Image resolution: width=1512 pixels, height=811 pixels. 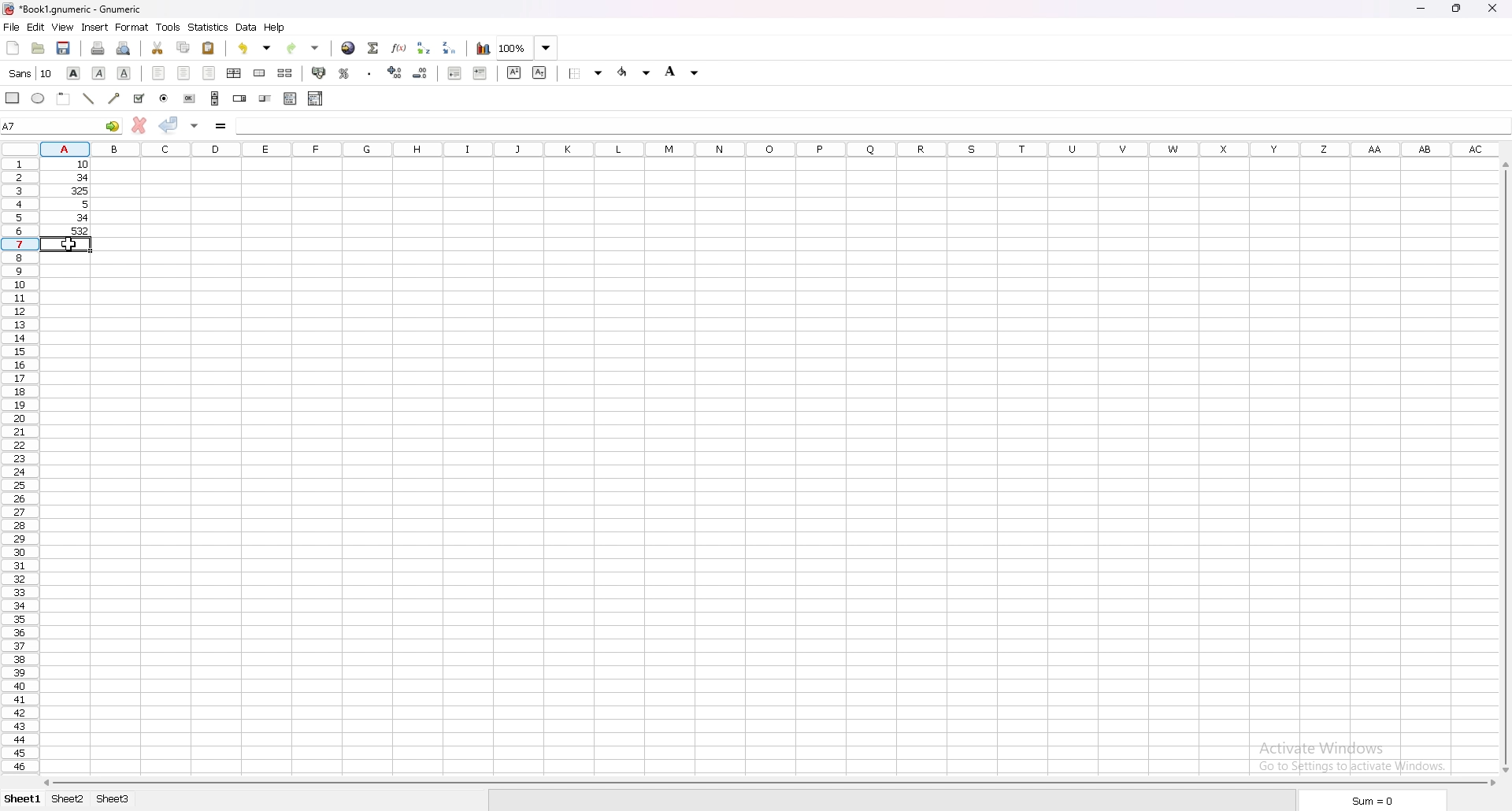 I want to click on increase indent, so click(x=479, y=72).